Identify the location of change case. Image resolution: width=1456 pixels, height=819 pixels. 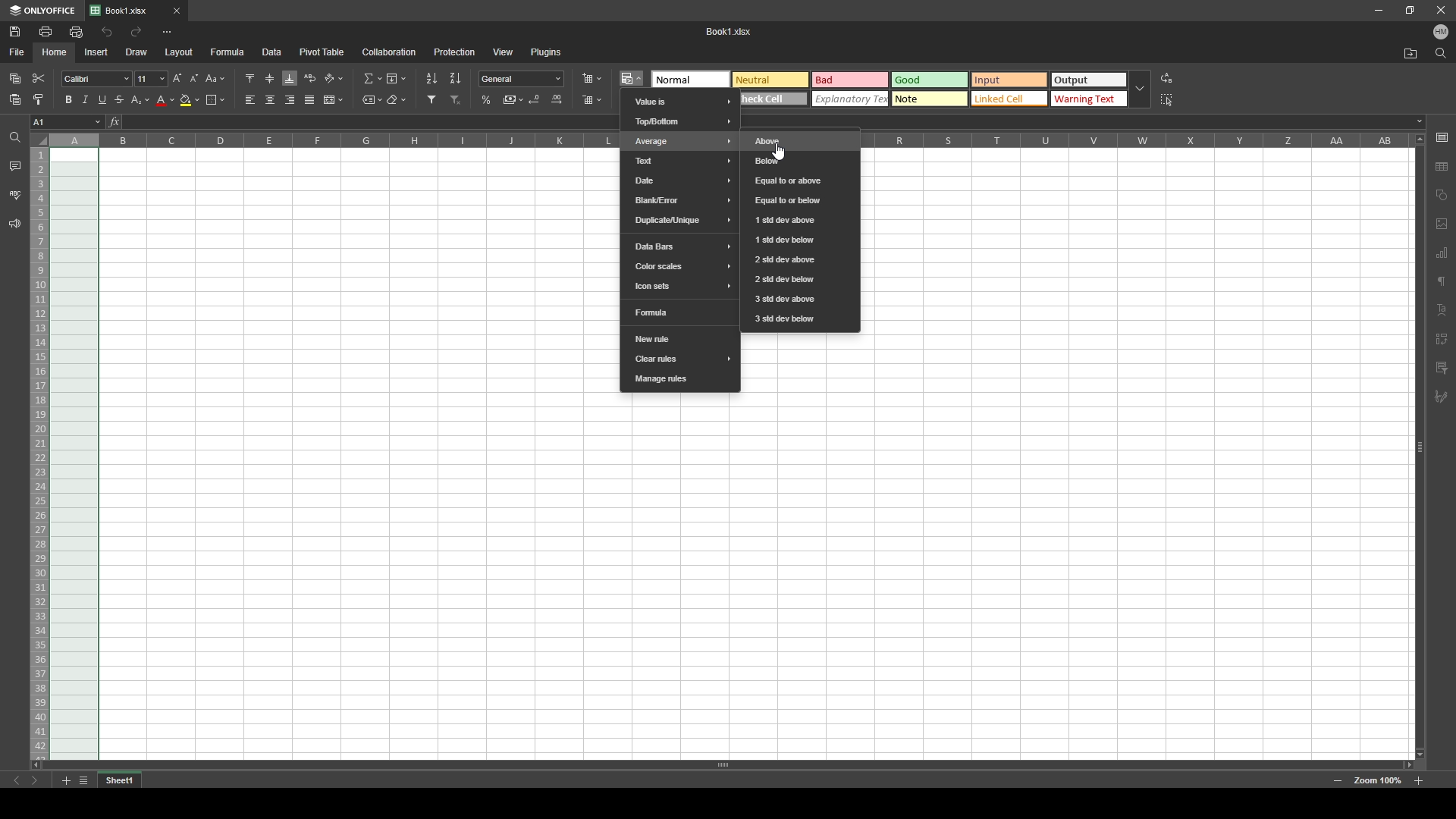
(216, 78).